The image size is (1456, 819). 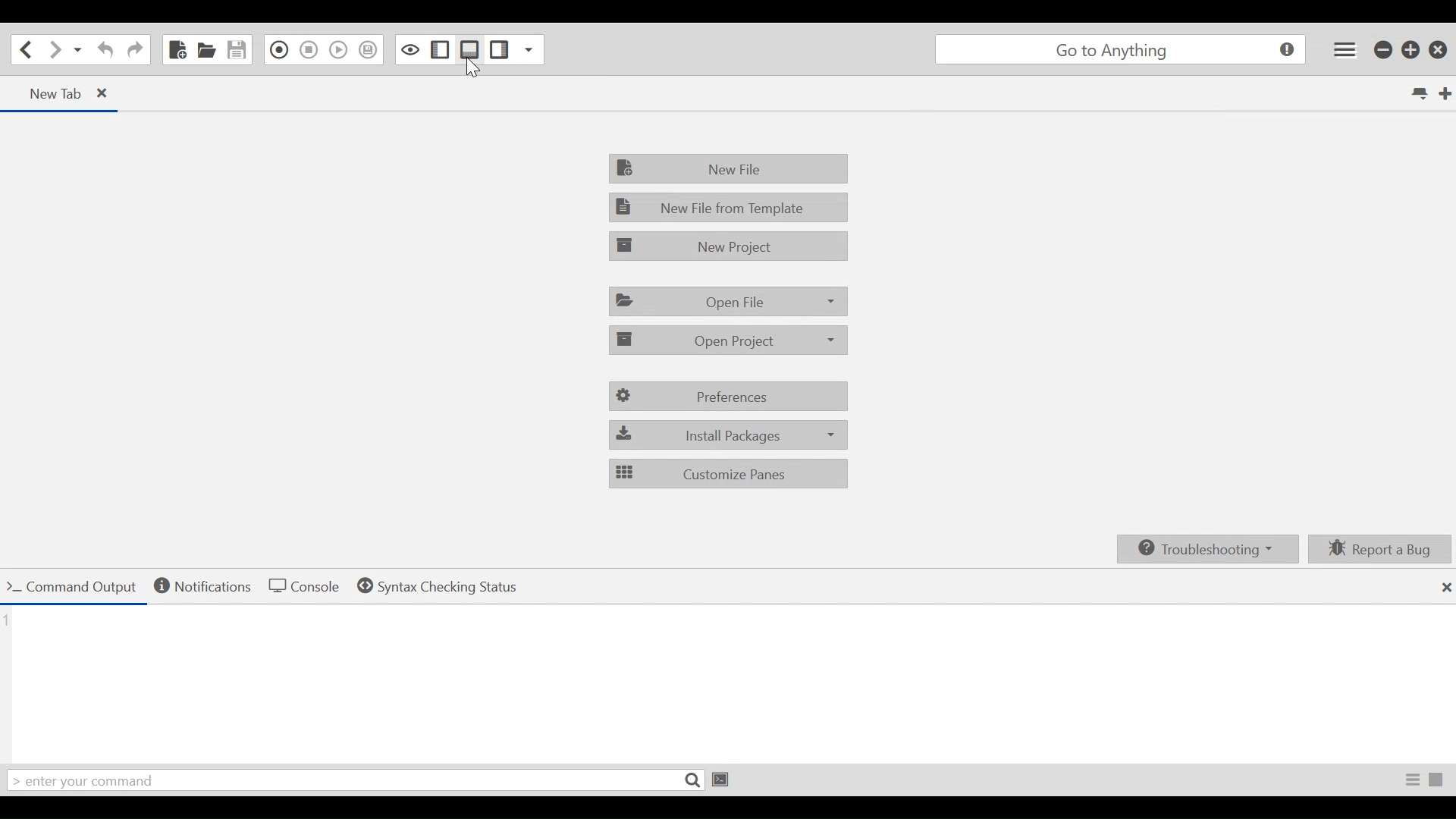 I want to click on Application menu, so click(x=1343, y=48).